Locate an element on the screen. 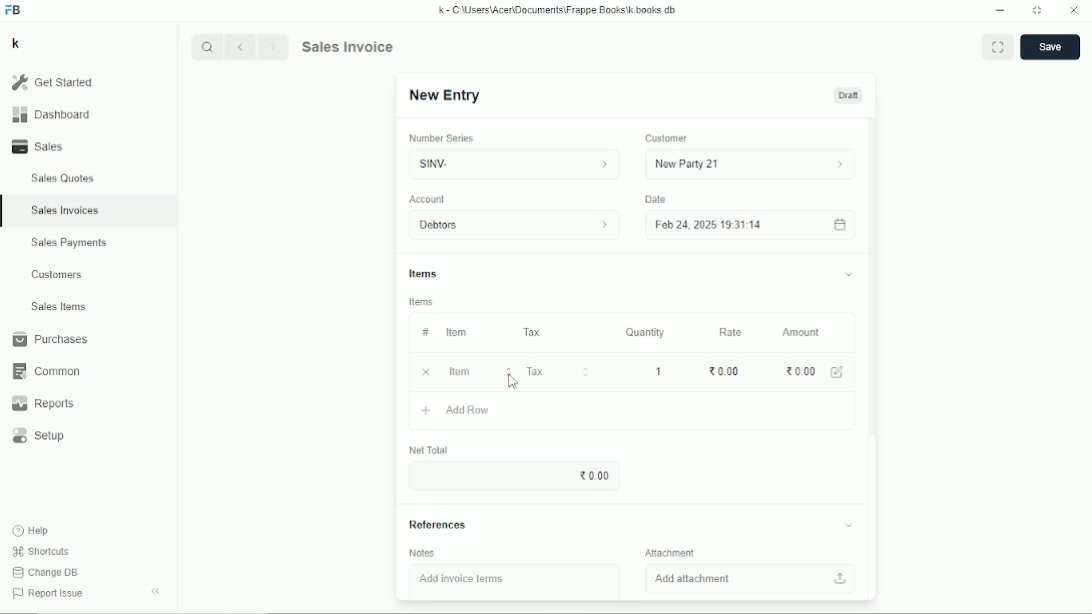  New party 21 is located at coordinates (752, 164).